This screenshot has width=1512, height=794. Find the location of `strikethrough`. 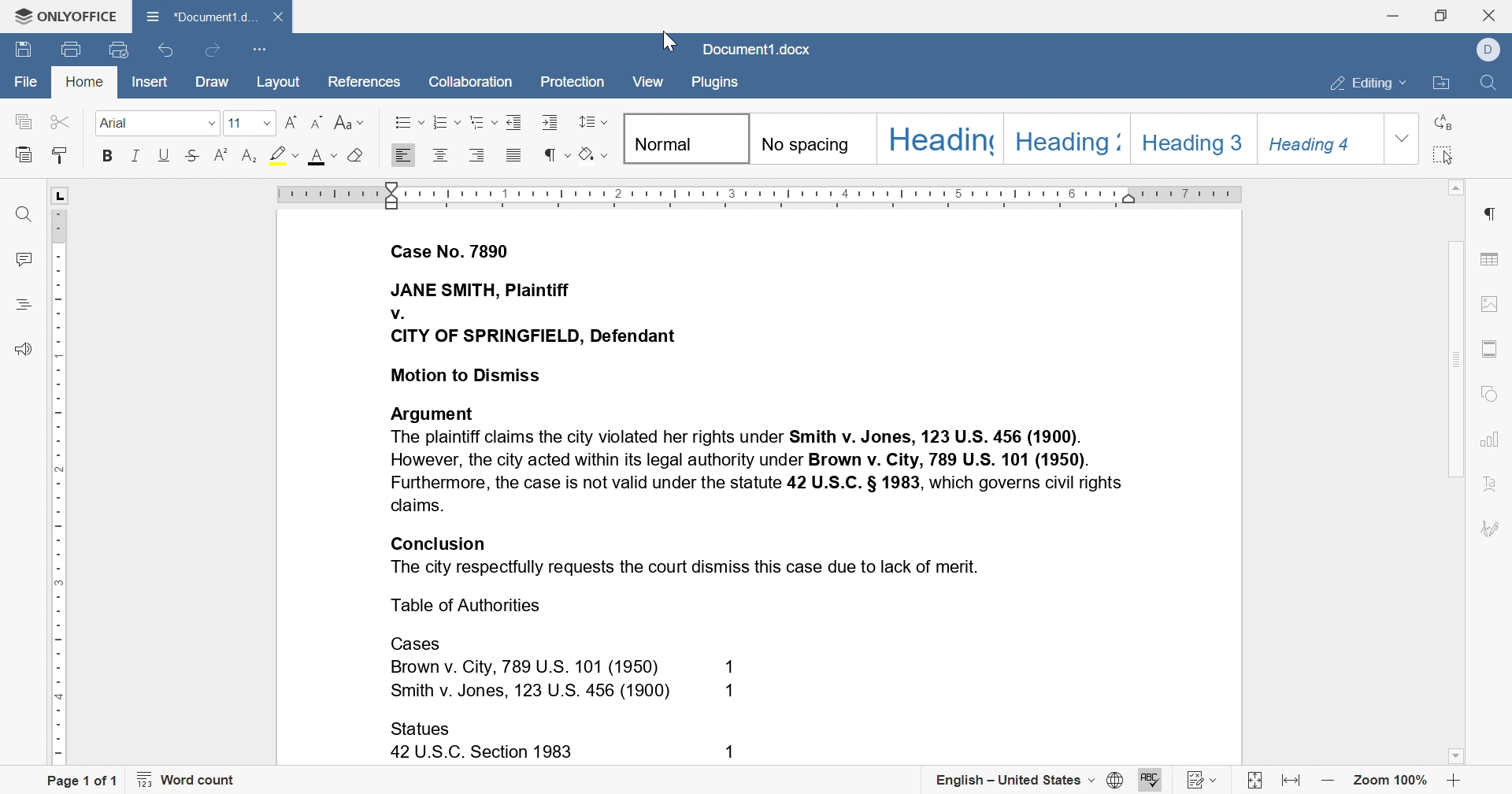

strikethrough is located at coordinates (223, 156).